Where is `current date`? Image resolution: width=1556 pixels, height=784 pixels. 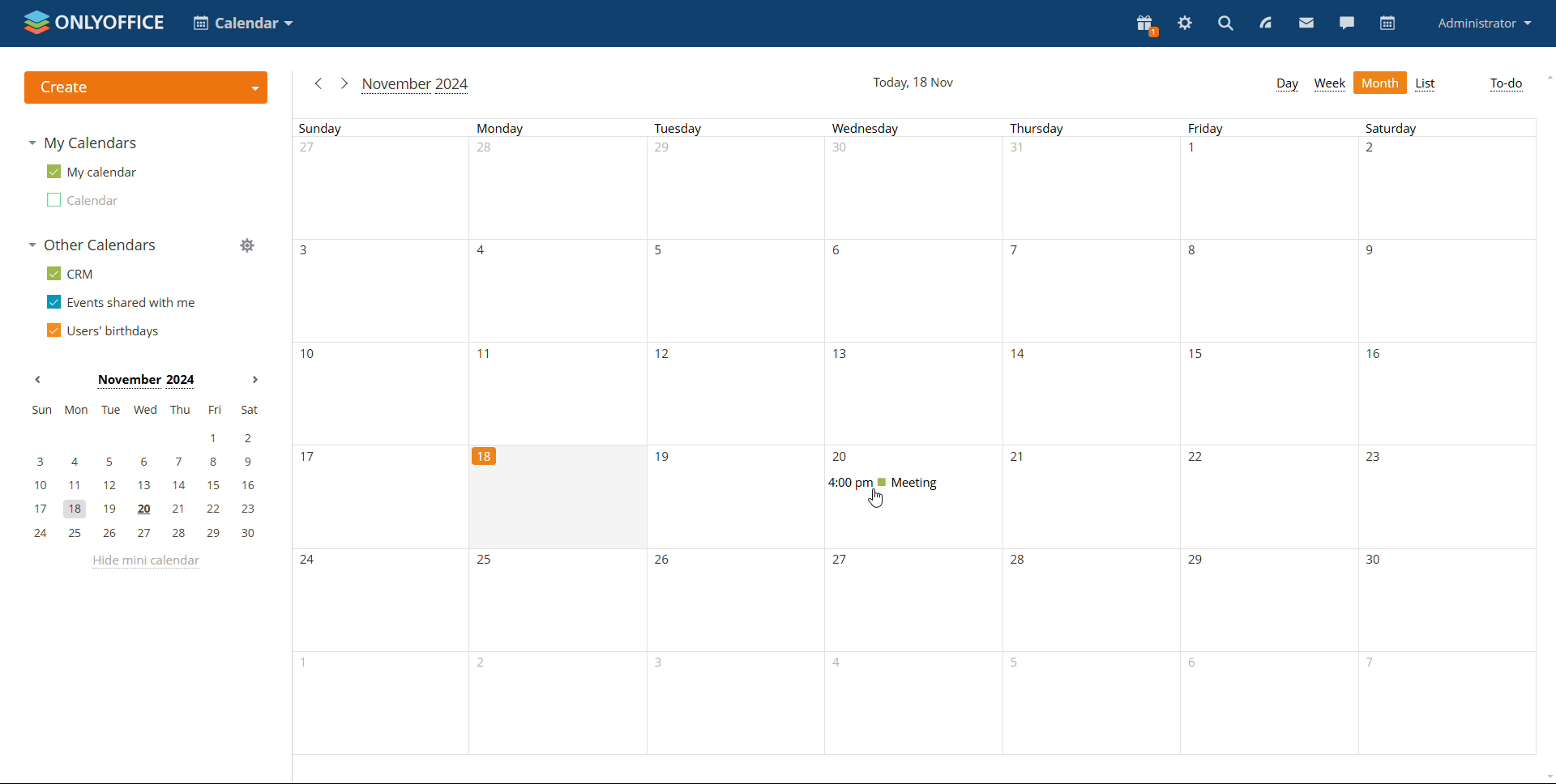
current date is located at coordinates (914, 83).